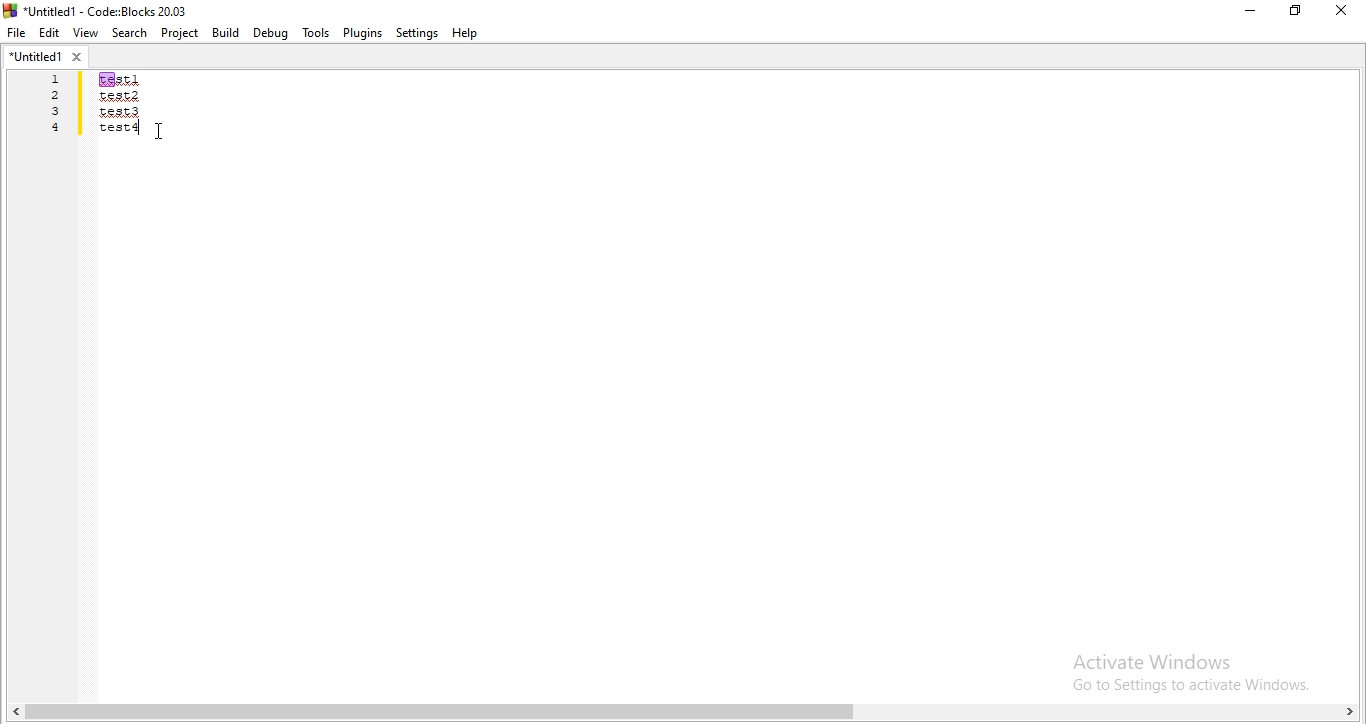 This screenshot has width=1366, height=724. What do you see at coordinates (127, 32) in the screenshot?
I see `Search ` at bounding box center [127, 32].